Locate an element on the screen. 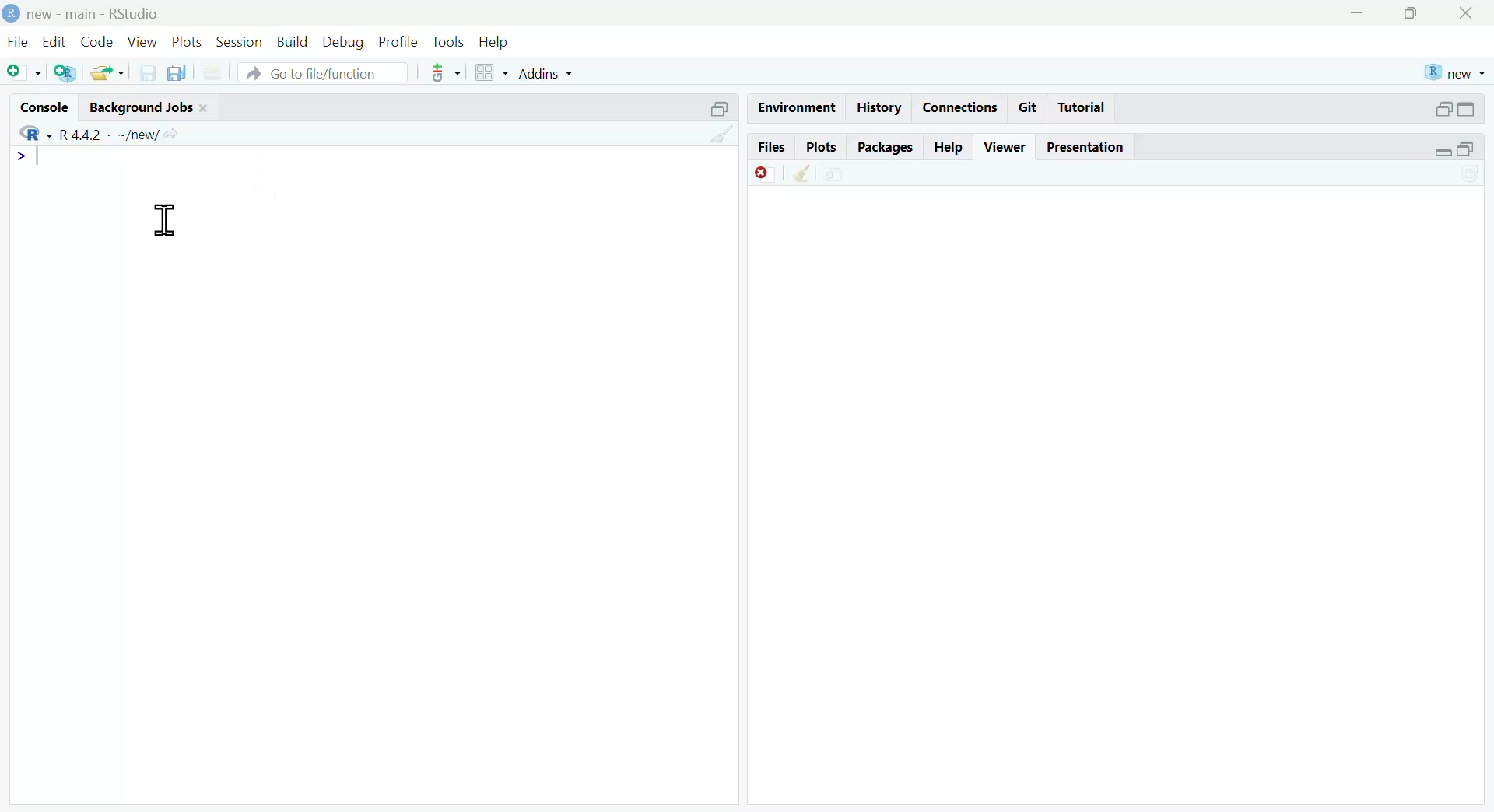  Code is located at coordinates (96, 40).